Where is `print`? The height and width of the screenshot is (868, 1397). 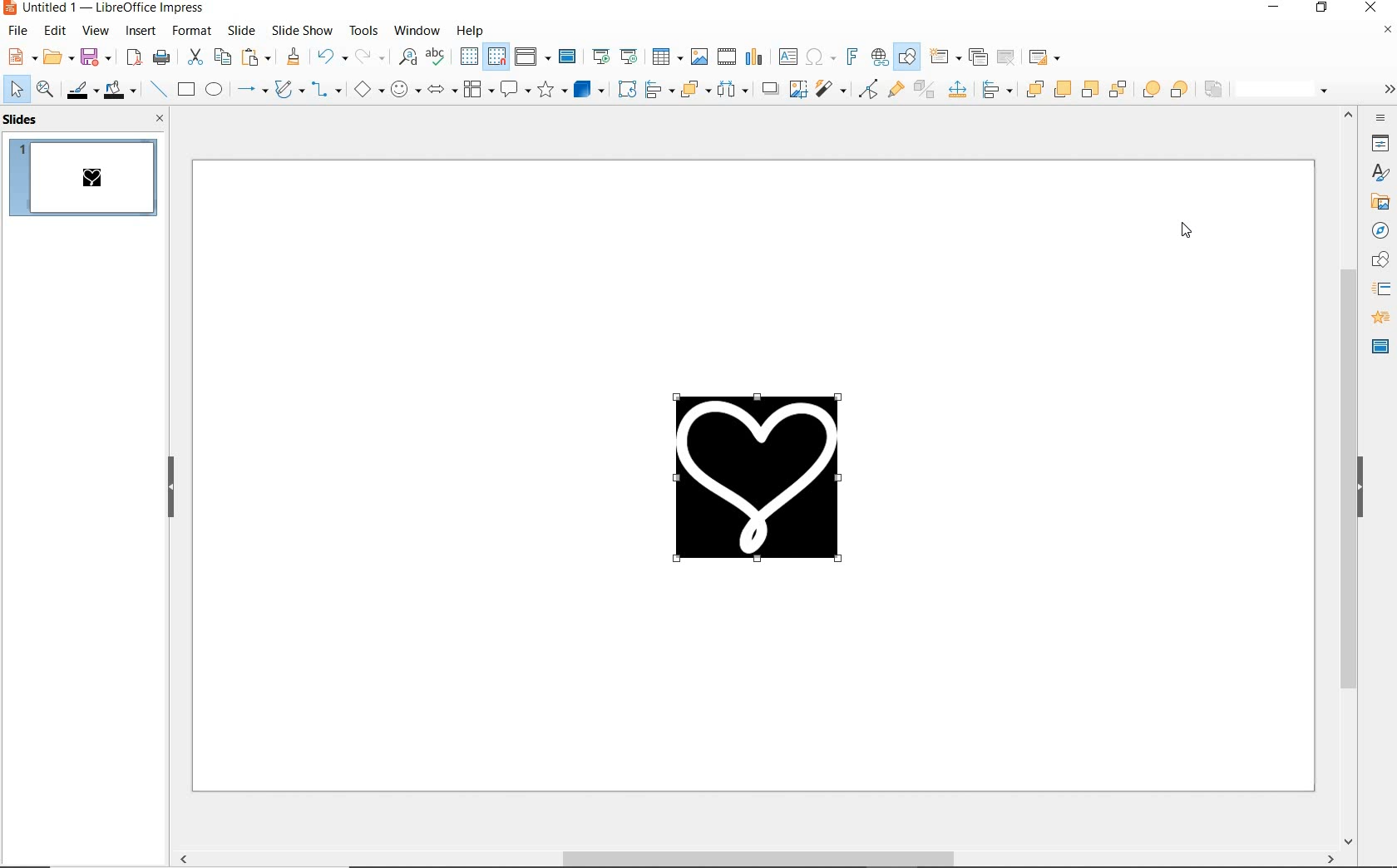
print is located at coordinates (161, 57).